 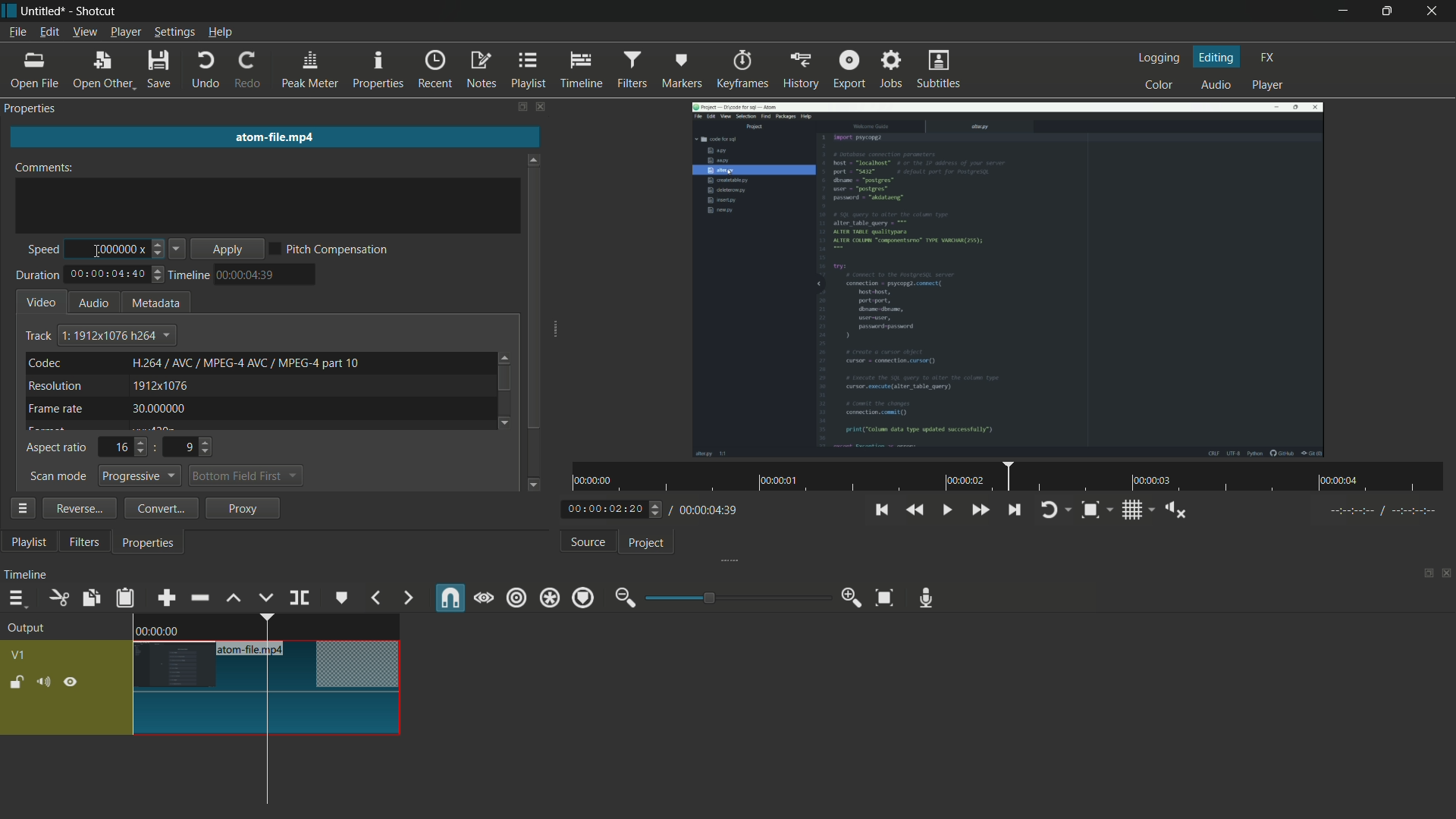 I want to click on apply, so click(x=227, y=249).